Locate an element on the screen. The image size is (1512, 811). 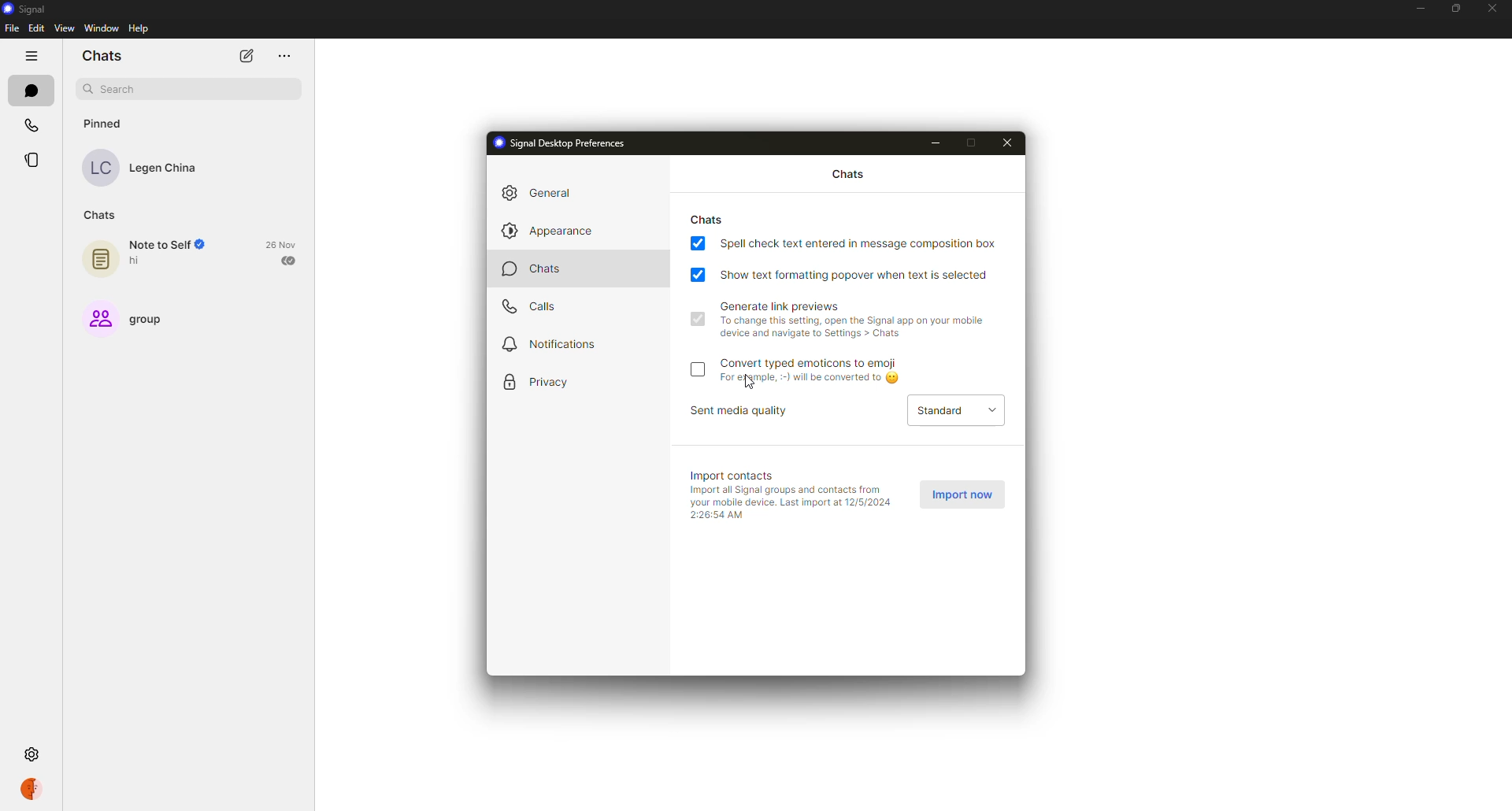
maximize is located at coordinates (975, 142).